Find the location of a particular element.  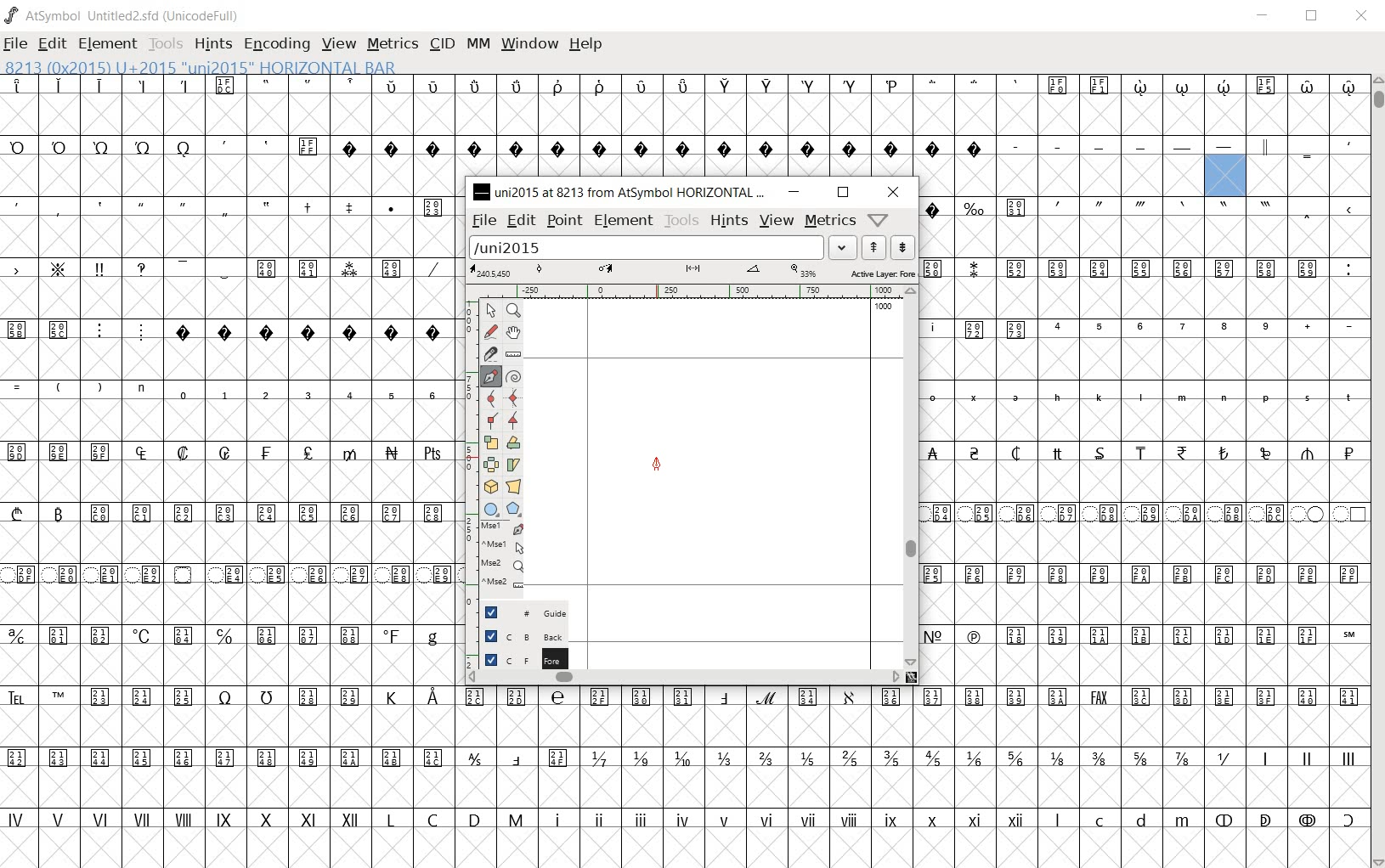

tools is located at coordinates (681, 221).